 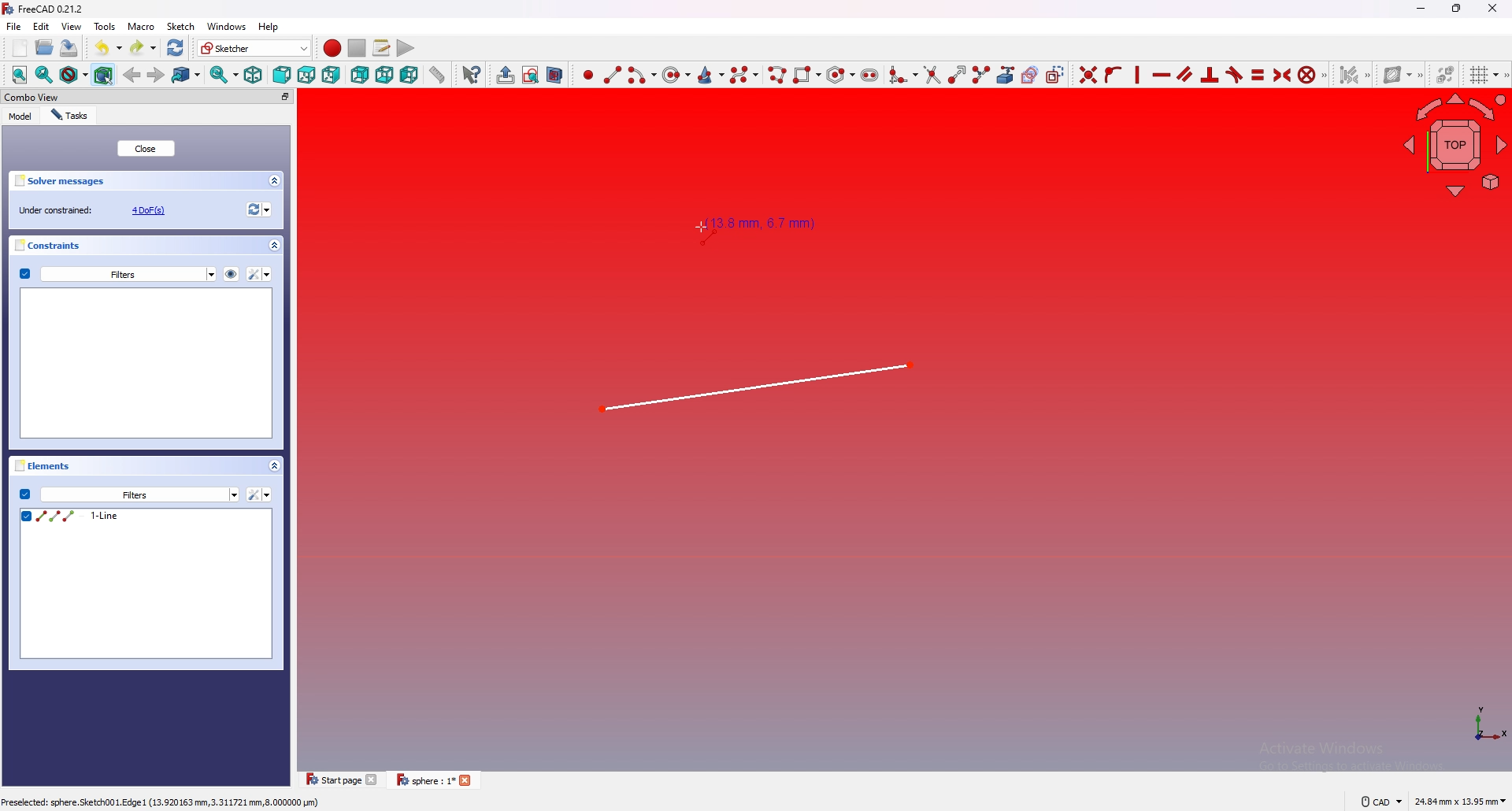 What do you see at coordinates (776, 74) in the screenshot?
I see `Create polyline` at bounding box center [776, 74].